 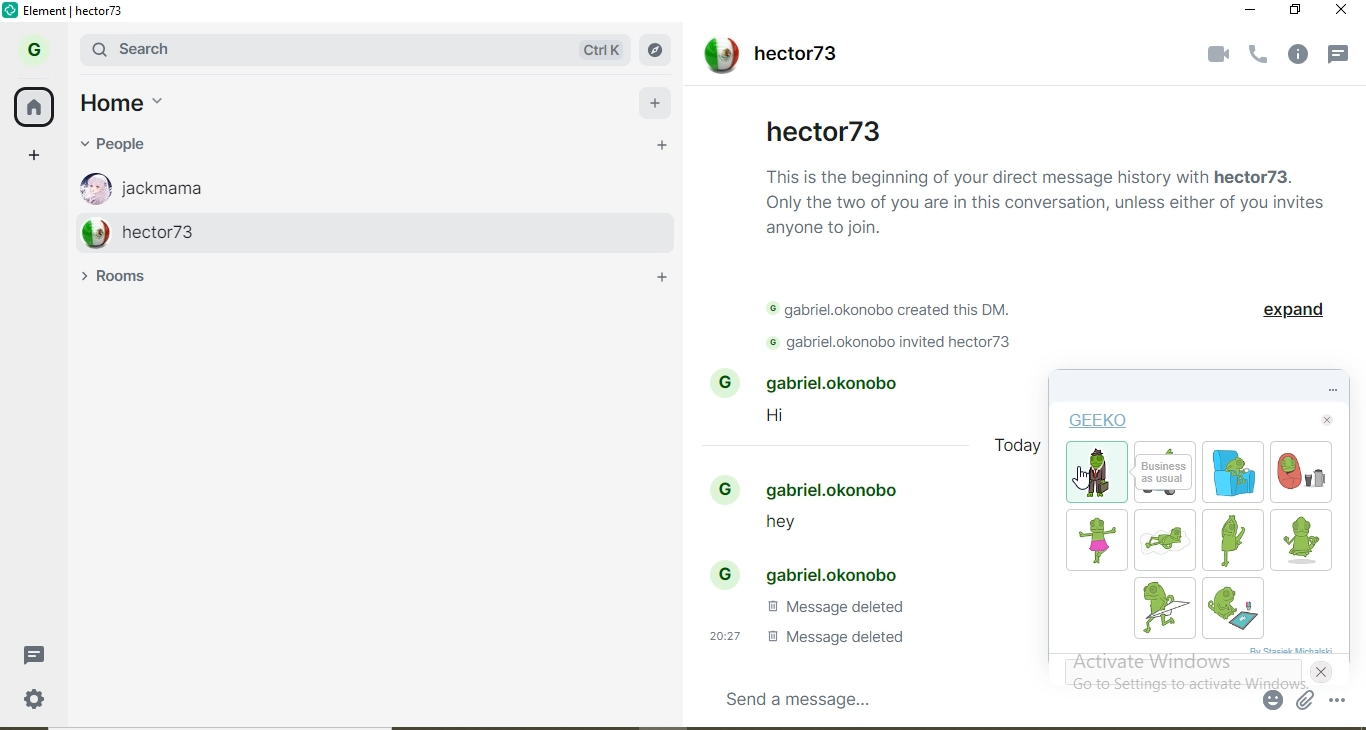 What do you see at coordinates (1096, 537) in the screenshot?
I see `sticker` at bounding box center [1096, 537].